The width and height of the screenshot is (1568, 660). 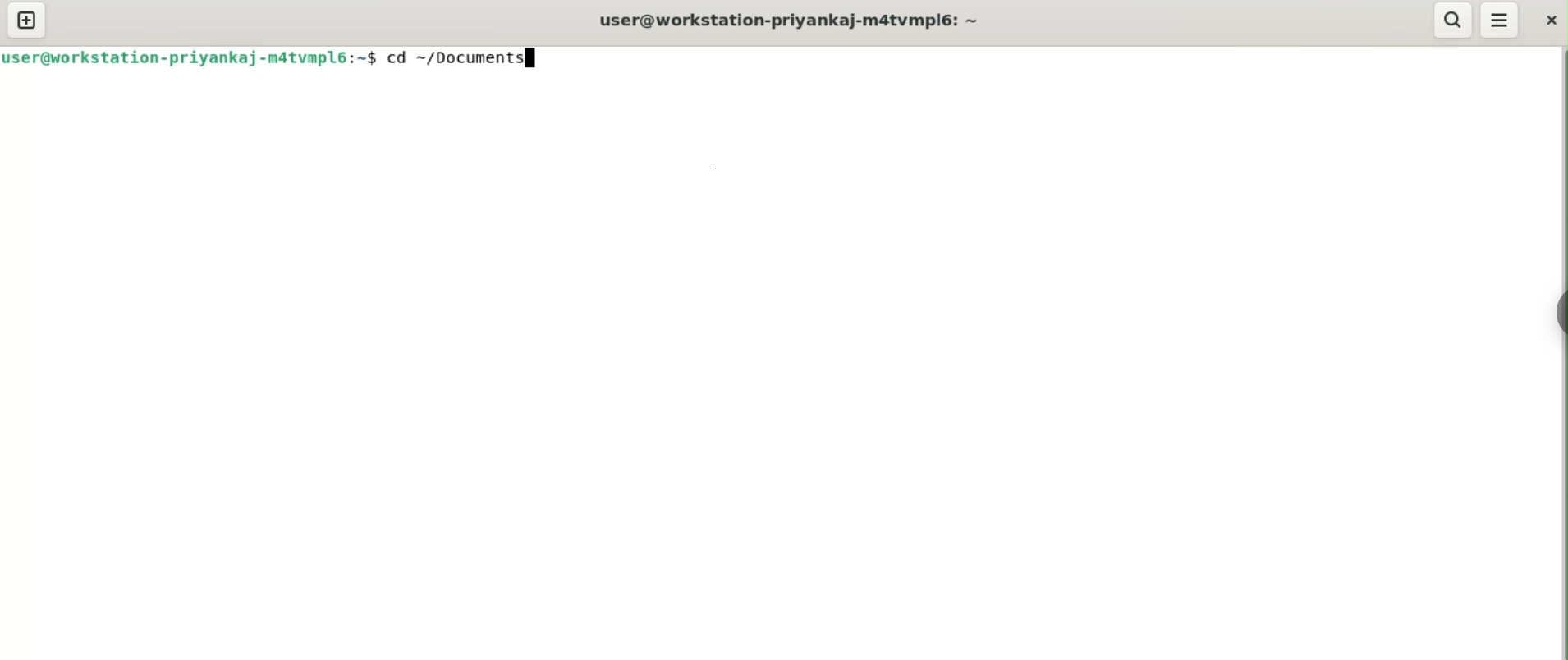 I want to click on cd ~/Documents, so click(x=468, y=58).